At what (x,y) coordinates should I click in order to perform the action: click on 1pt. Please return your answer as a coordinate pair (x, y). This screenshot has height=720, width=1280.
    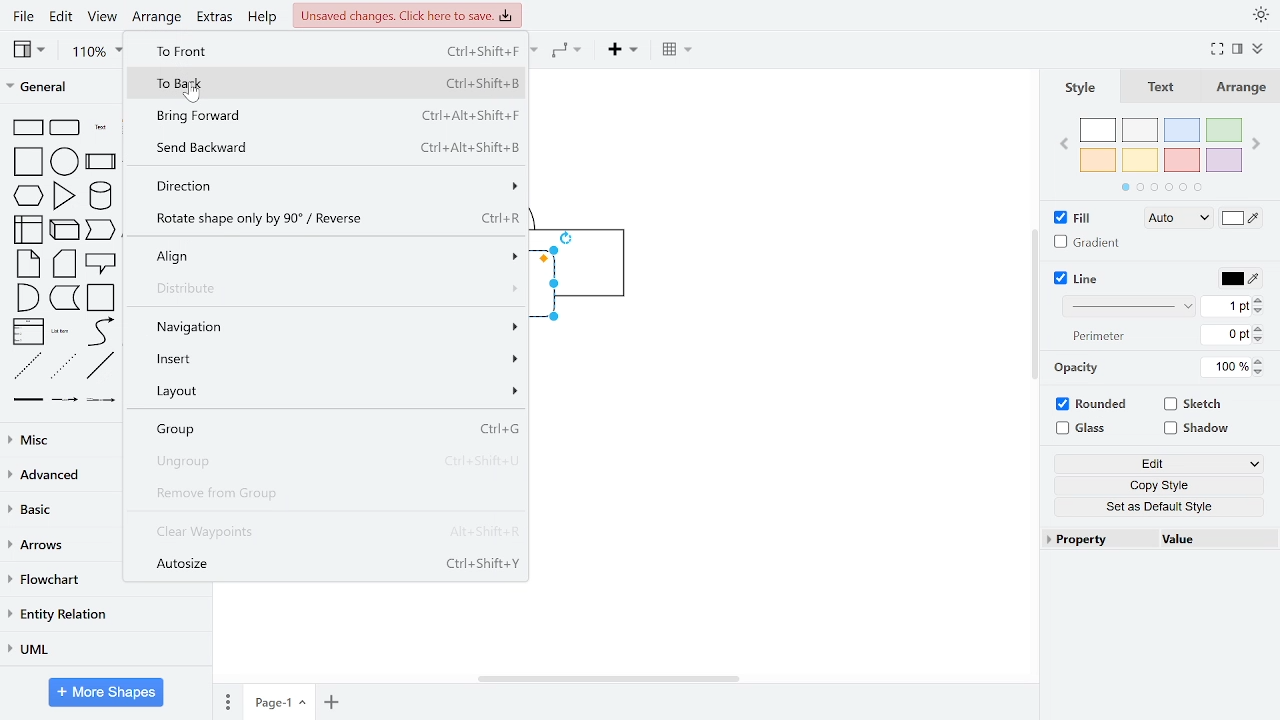
    Looking at the image, I should click on (1226, 306).